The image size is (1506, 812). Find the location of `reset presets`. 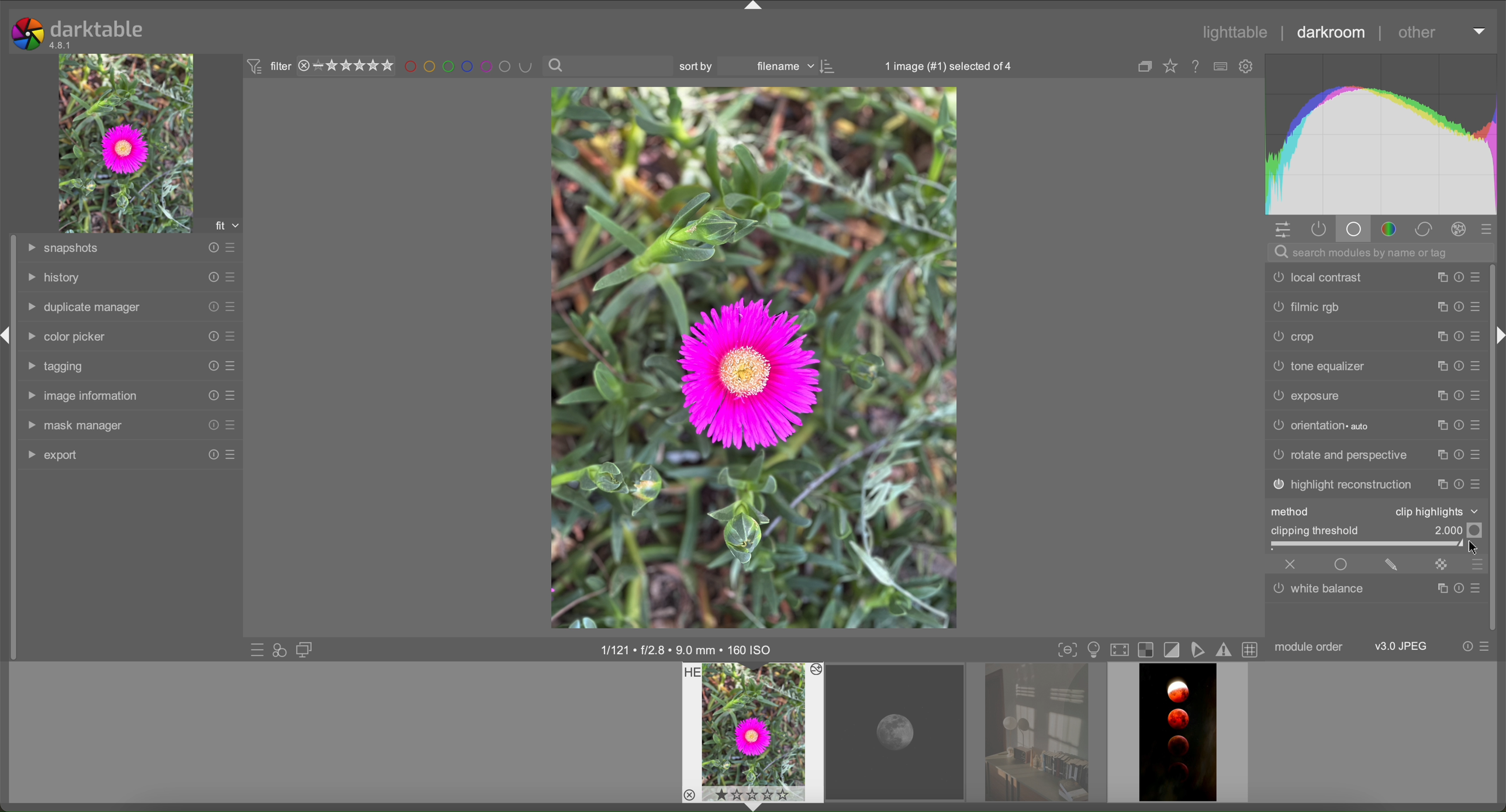

reset presets is located at coordinates (1456, 278).